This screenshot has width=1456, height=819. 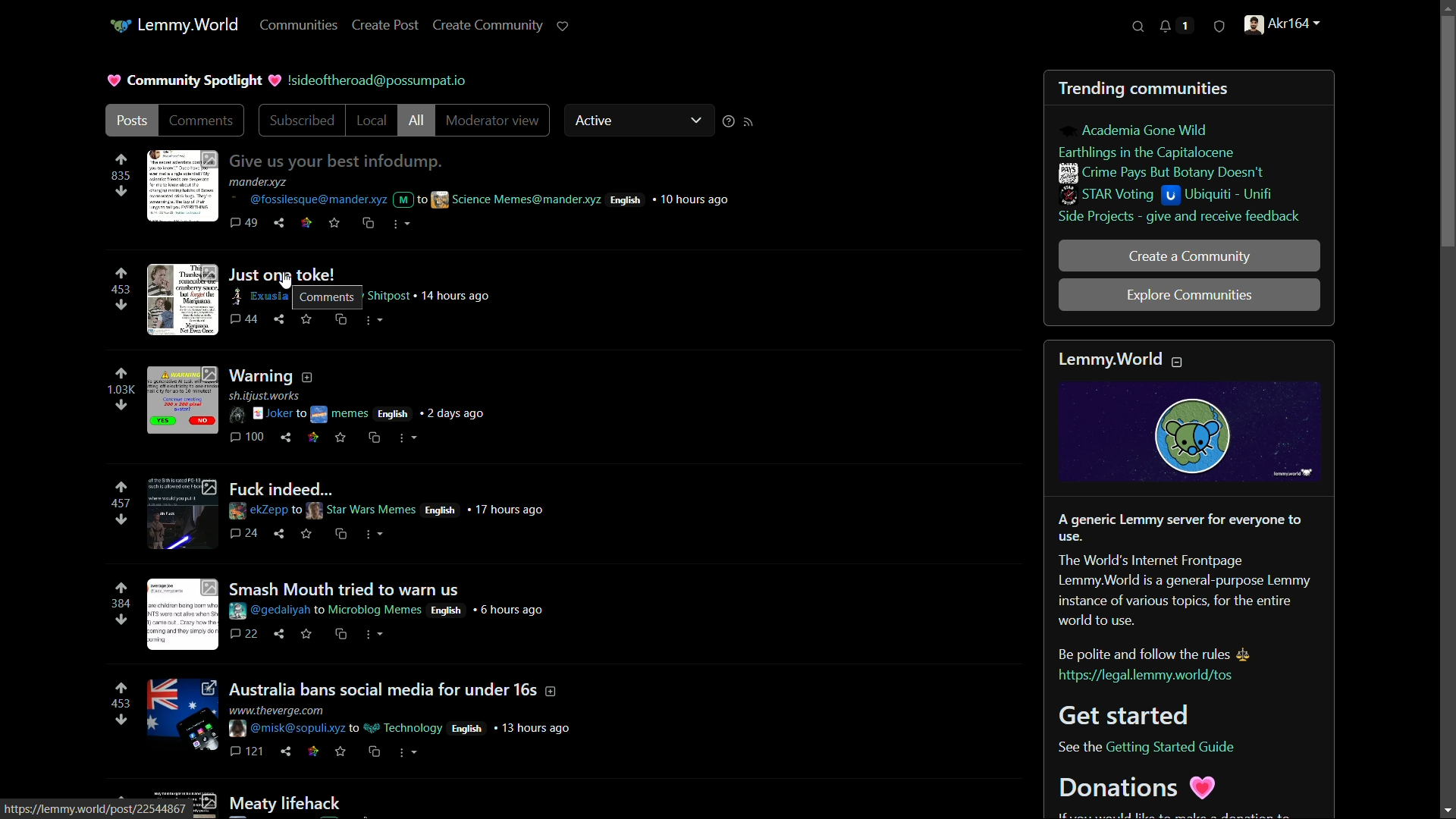 What do you see at coordinates (258, 513) in the screenshot?
I see `ekZepp` at bounding box center [258, 513].